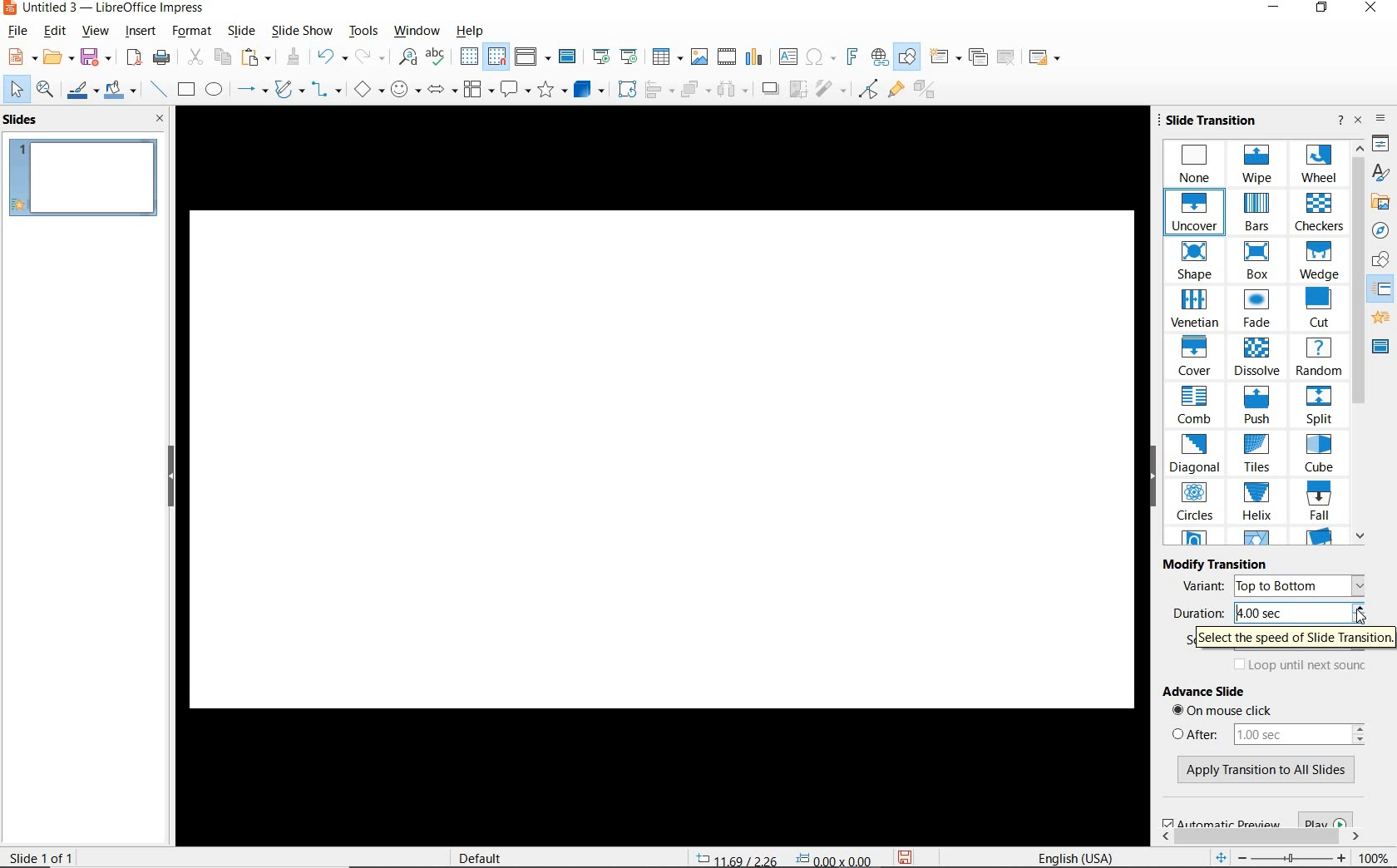 The image size is (1397, 868). Describe the element at coordinates (484, 856) in the screenshot. I see `DEFAULT` at that location.